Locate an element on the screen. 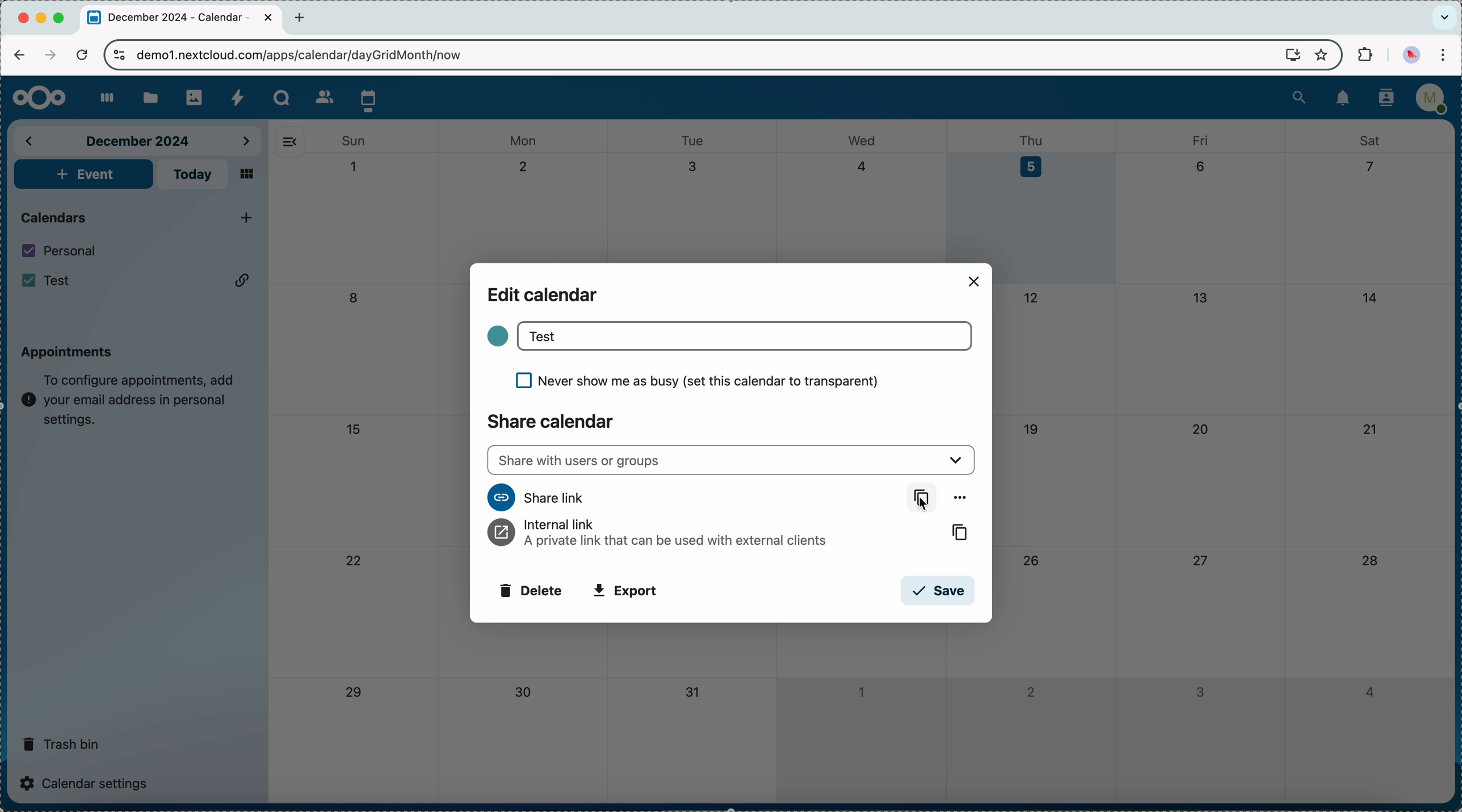 The width and height of the screenshot is (1462, 812). new tab is located at coordinates (303, 18).